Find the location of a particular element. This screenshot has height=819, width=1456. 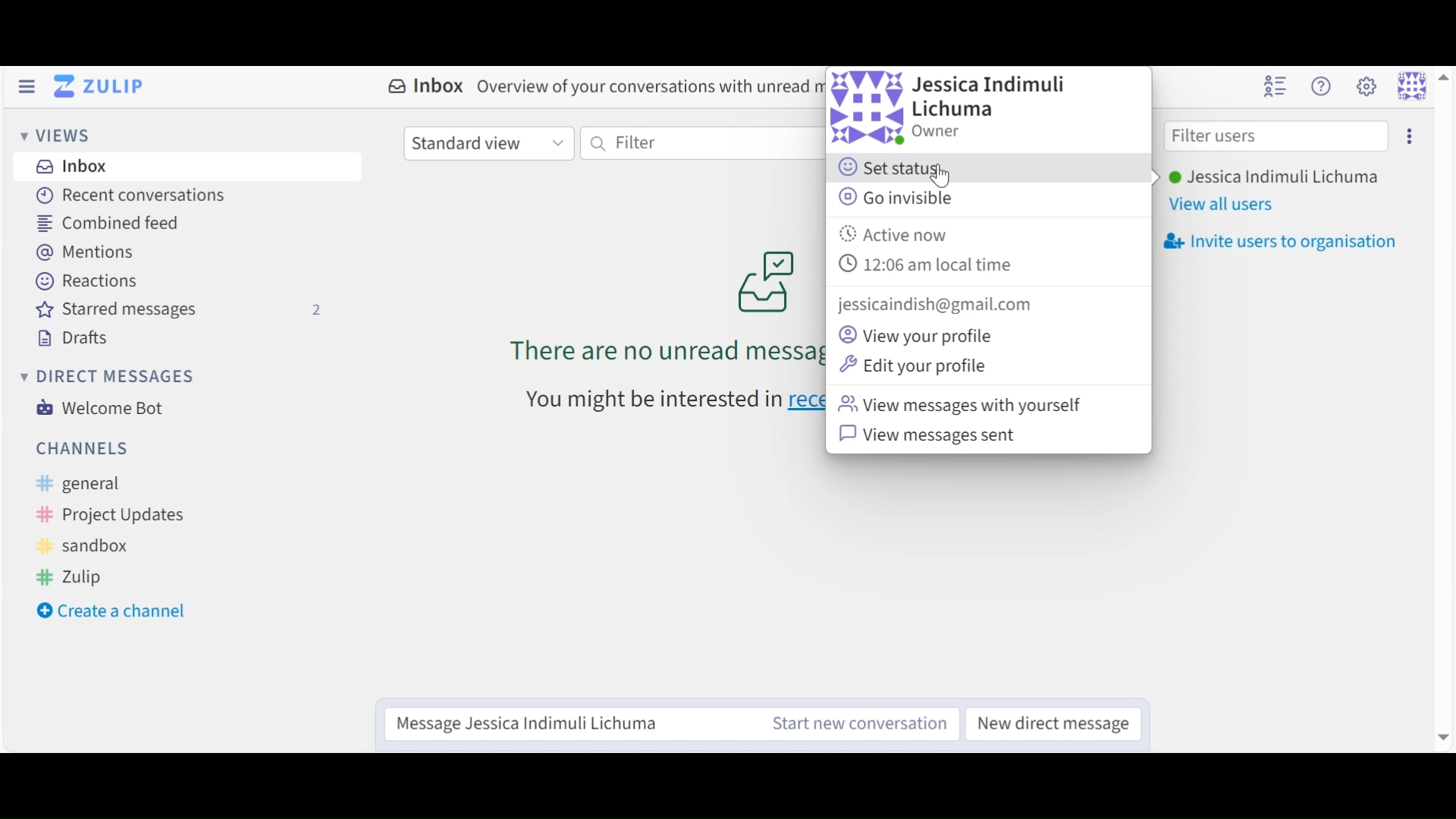

Recent Conversations is located at coordinates (129, 195).